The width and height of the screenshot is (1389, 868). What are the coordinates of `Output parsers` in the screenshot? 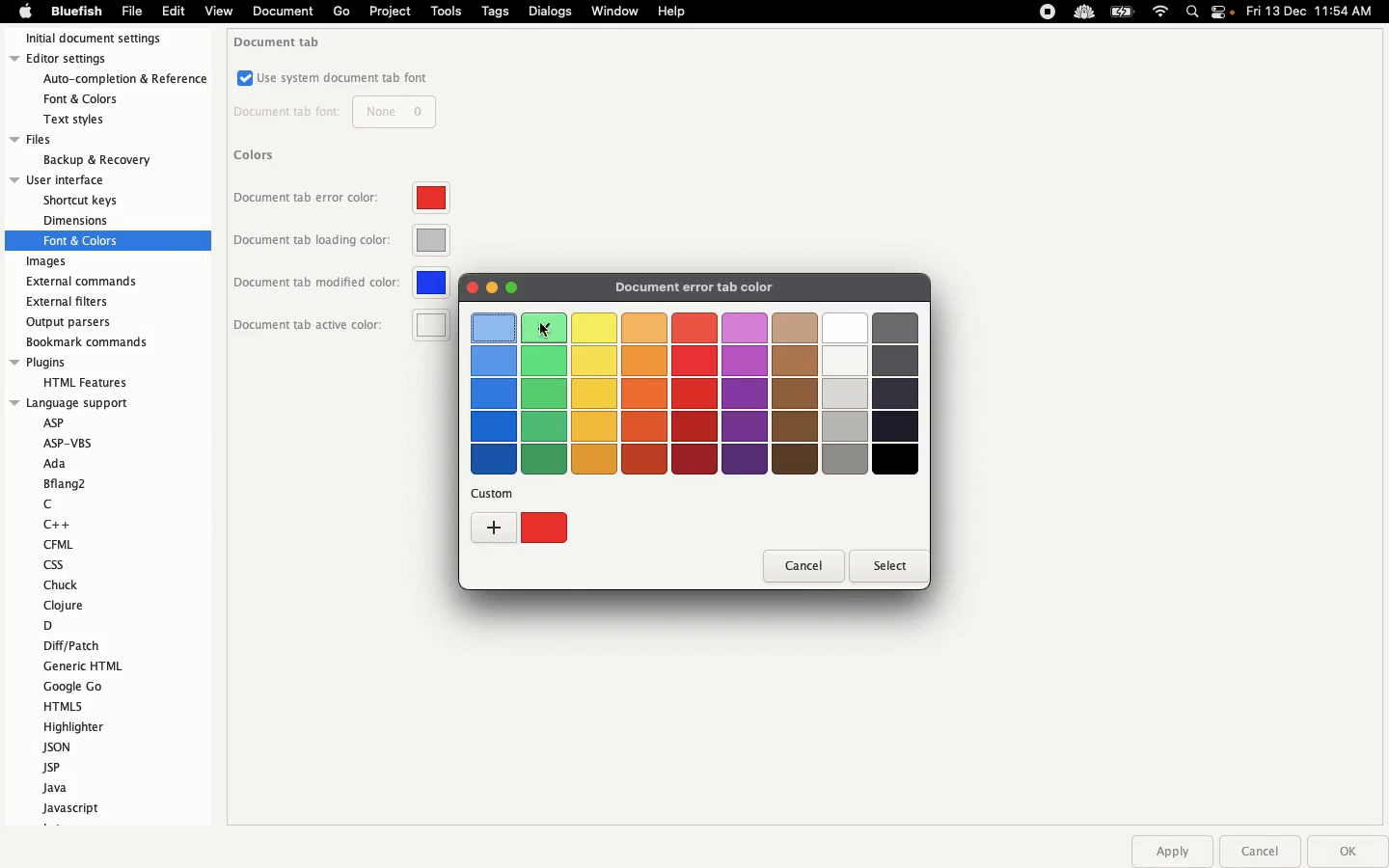 It's located at (73, 322).